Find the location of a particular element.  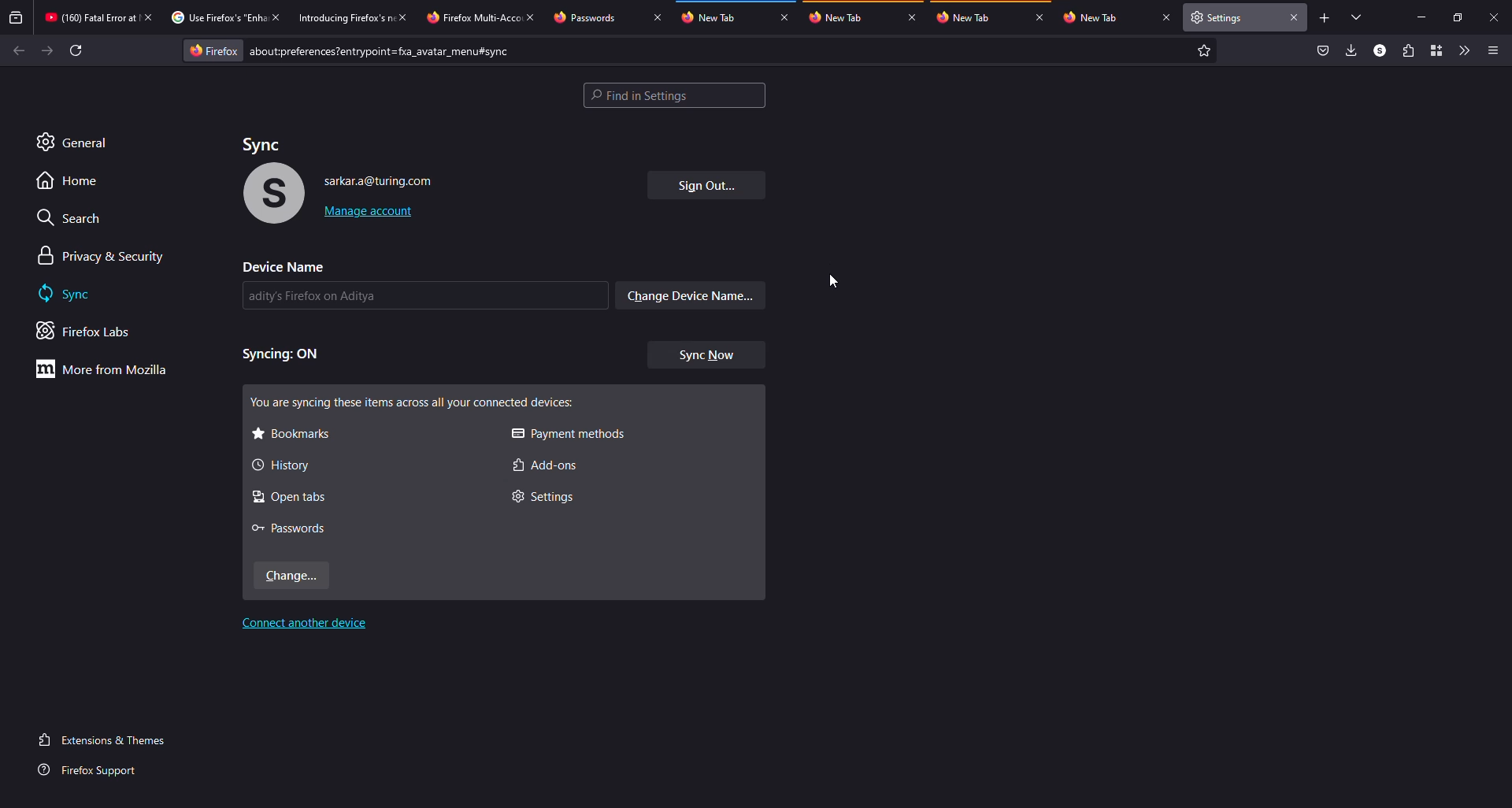

change is located at coordinates (691, 295).